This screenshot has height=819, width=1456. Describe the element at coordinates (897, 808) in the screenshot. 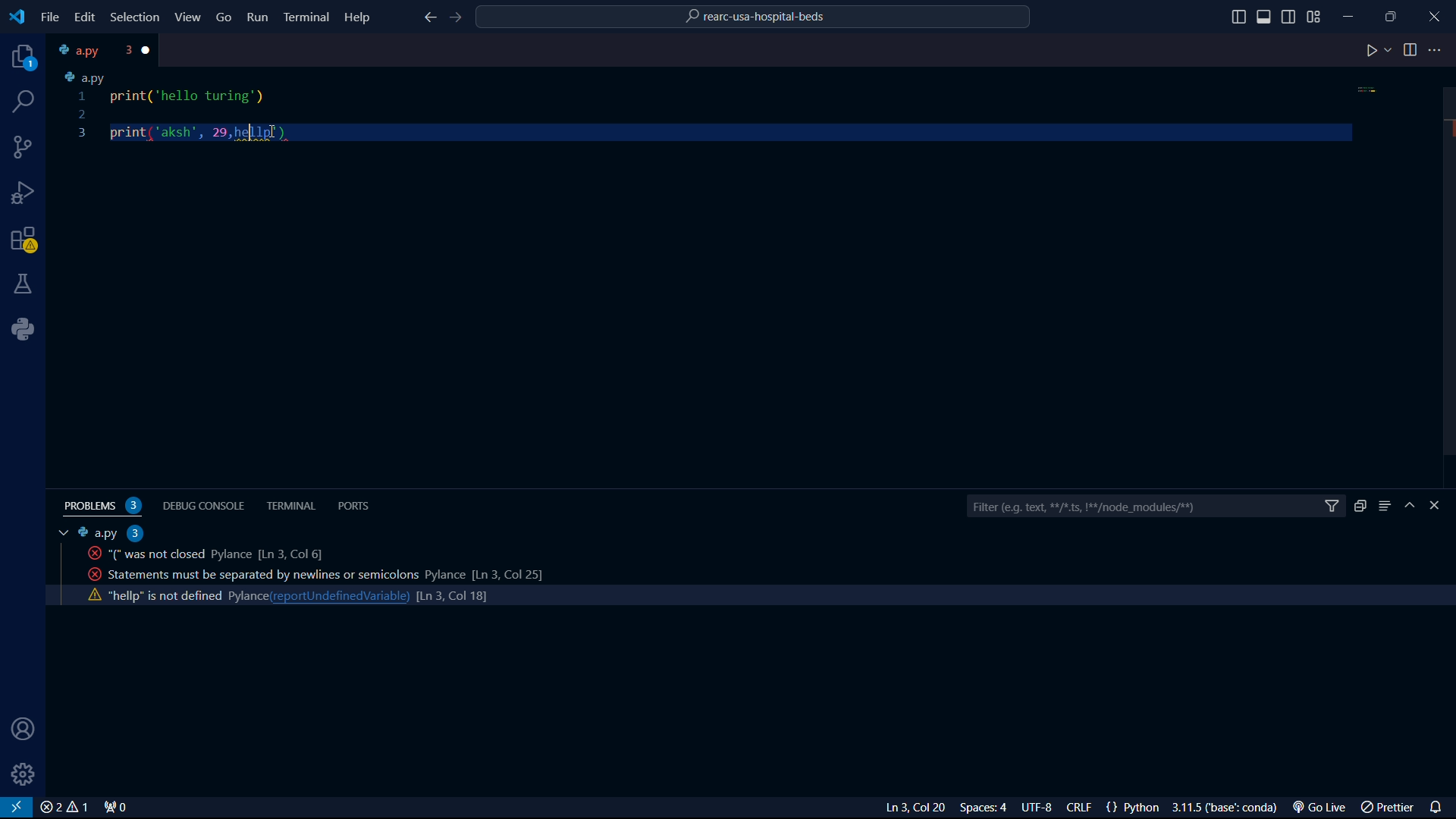

I see `Ln 3 Col 23` at that location.